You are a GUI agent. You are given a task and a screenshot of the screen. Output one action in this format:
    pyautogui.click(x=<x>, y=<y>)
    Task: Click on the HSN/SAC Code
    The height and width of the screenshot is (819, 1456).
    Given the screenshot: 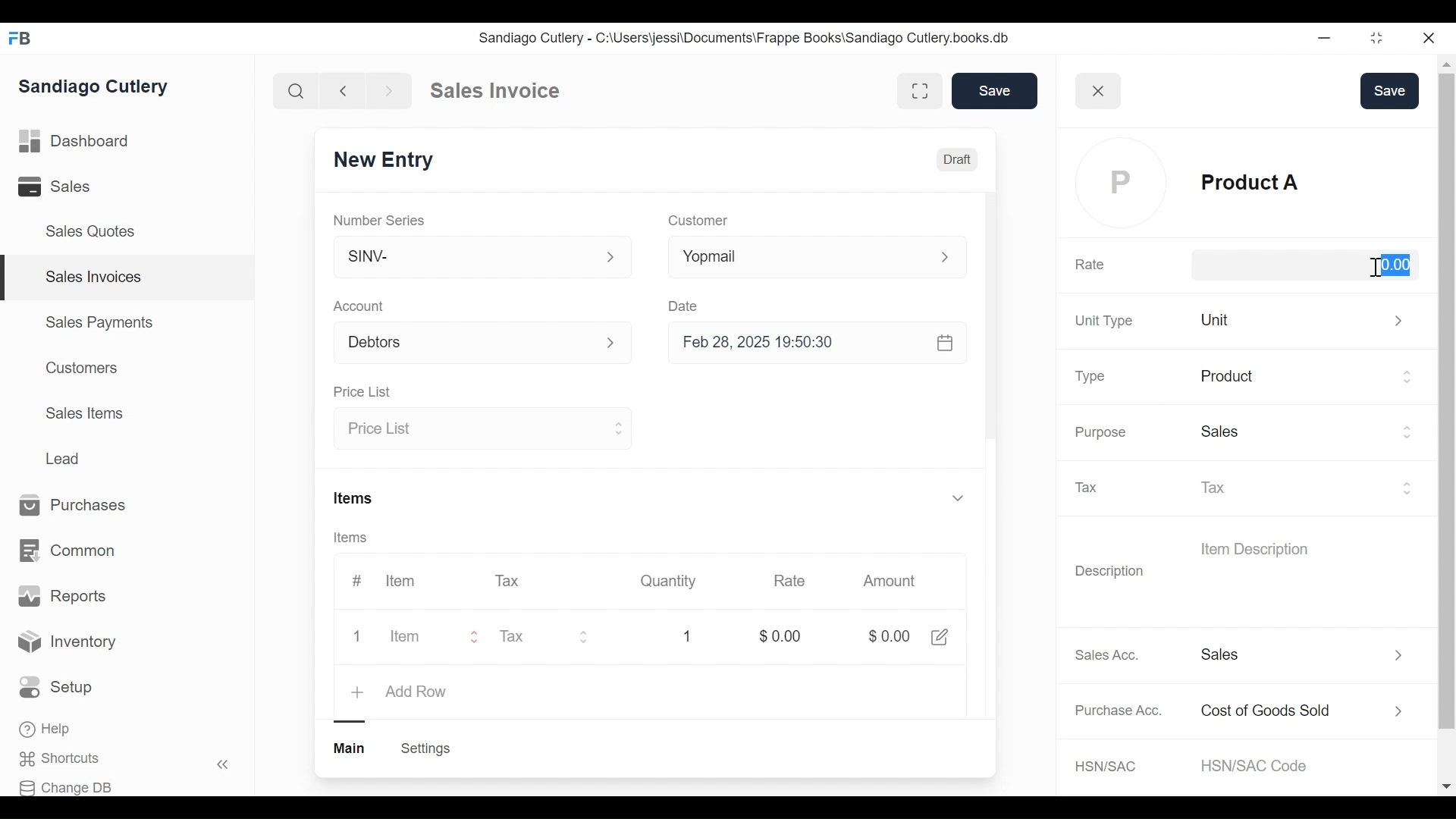 What is the action you would take?
    pyautogui.click(x=1262, y=765)
    